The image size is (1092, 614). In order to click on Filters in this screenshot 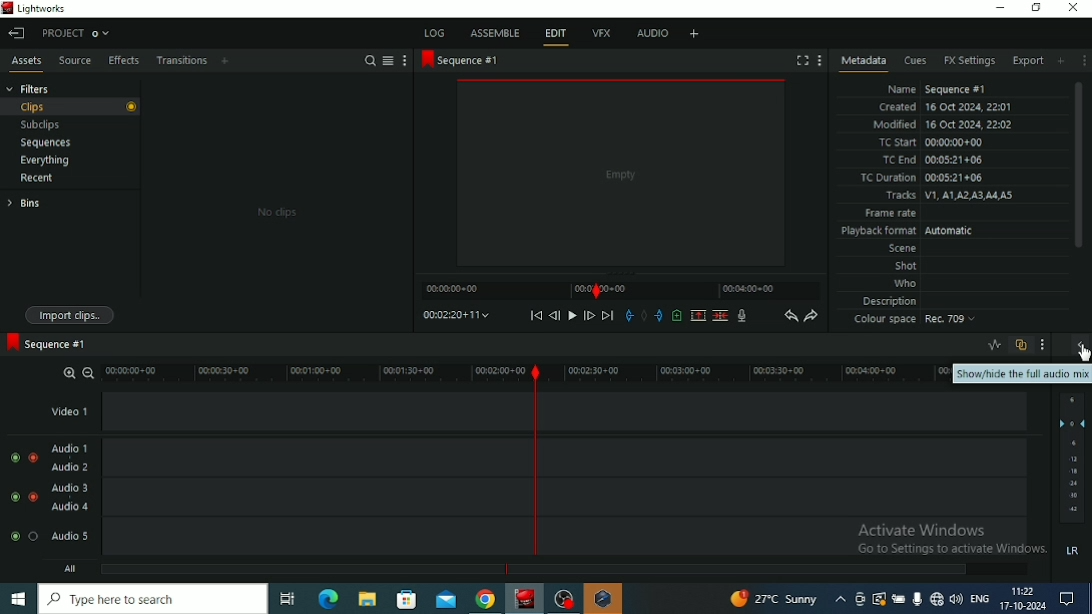, I will do `click(30, 88)`.